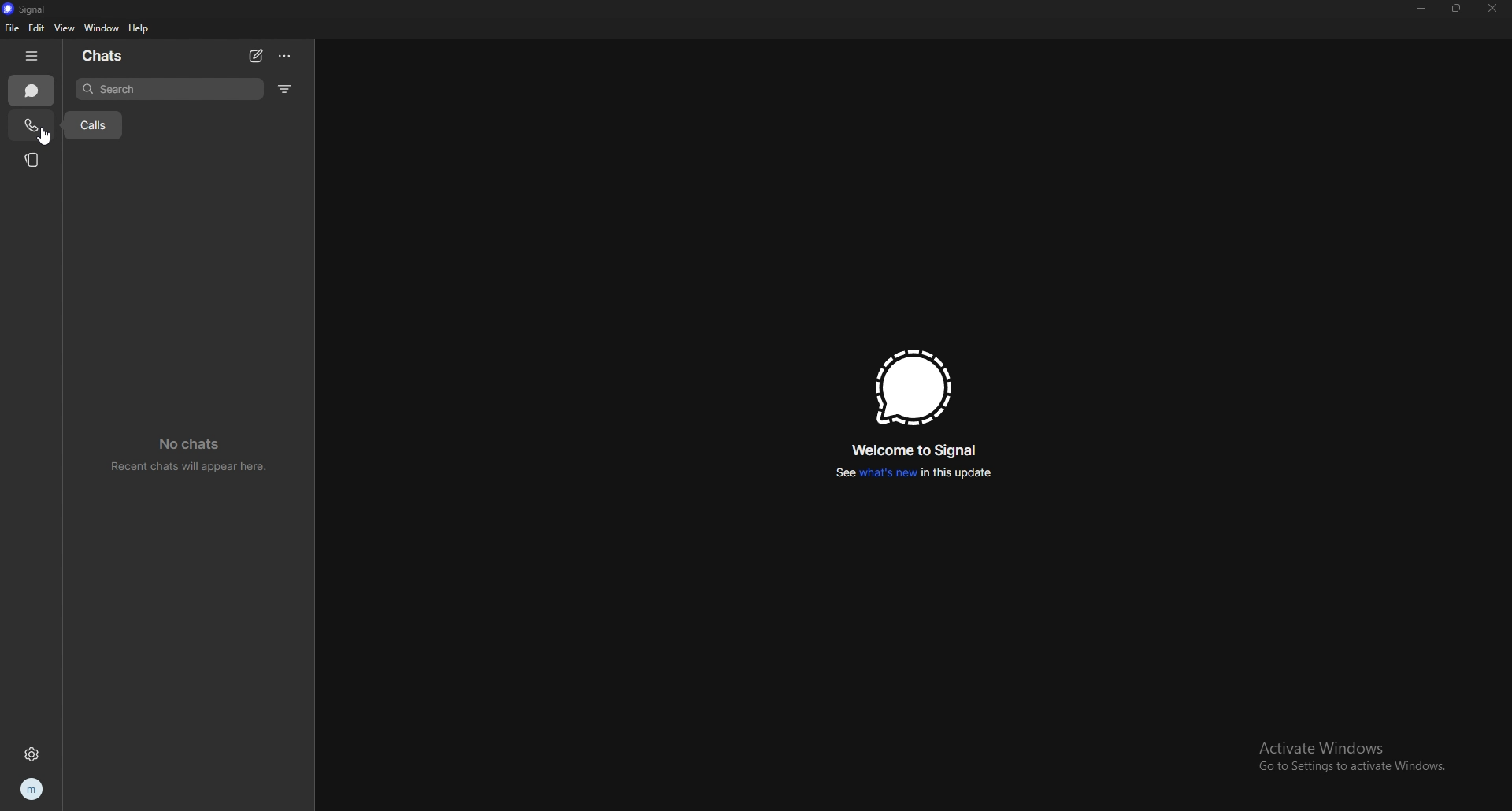 The image size is (1512, 811). I want to click on hide tab, so click(33, 56).